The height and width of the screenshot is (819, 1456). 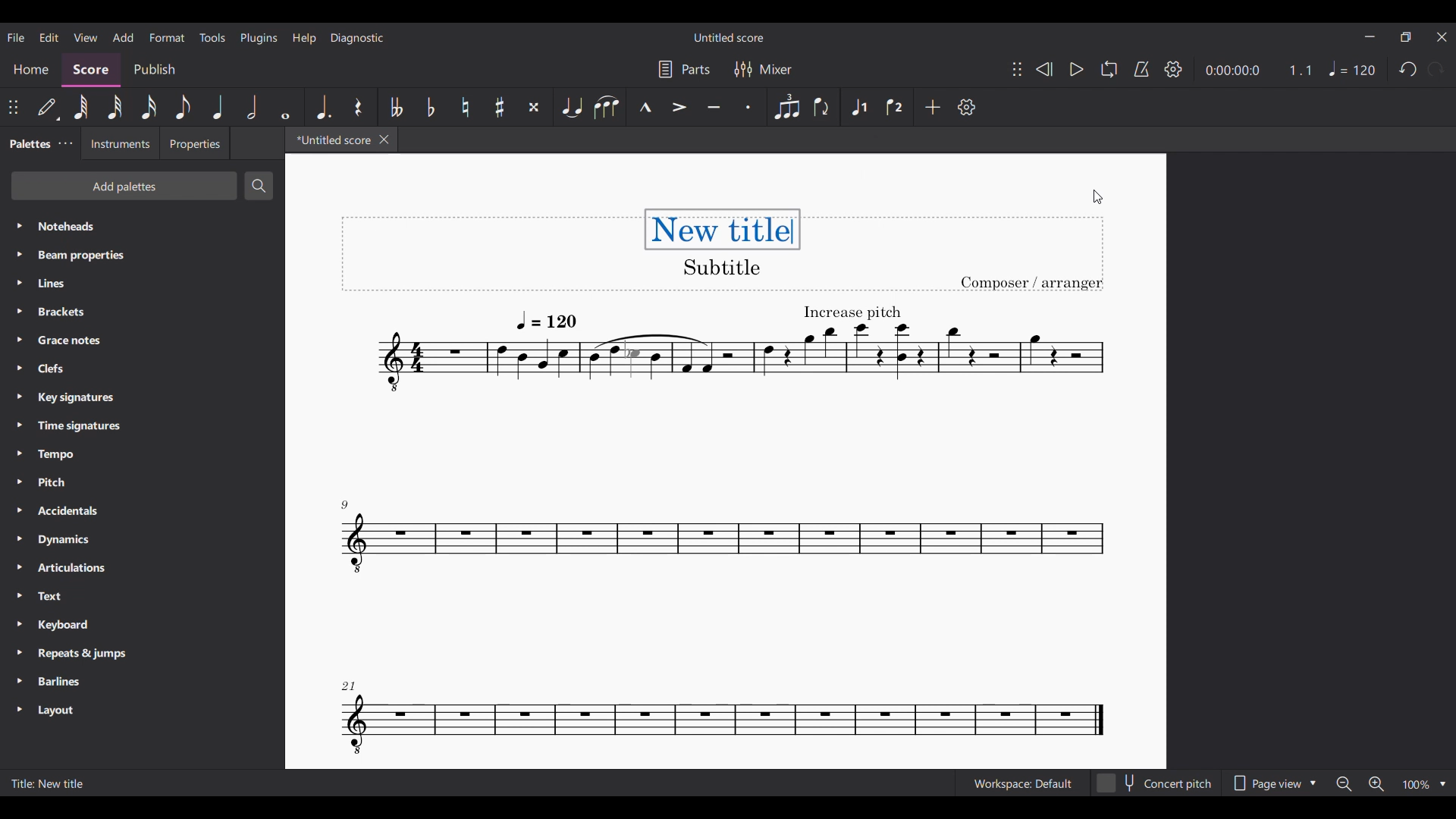 What do you see at coordinates (570, 107) in the screenshot?
I see `Tie` at bounding box center [570, 107].